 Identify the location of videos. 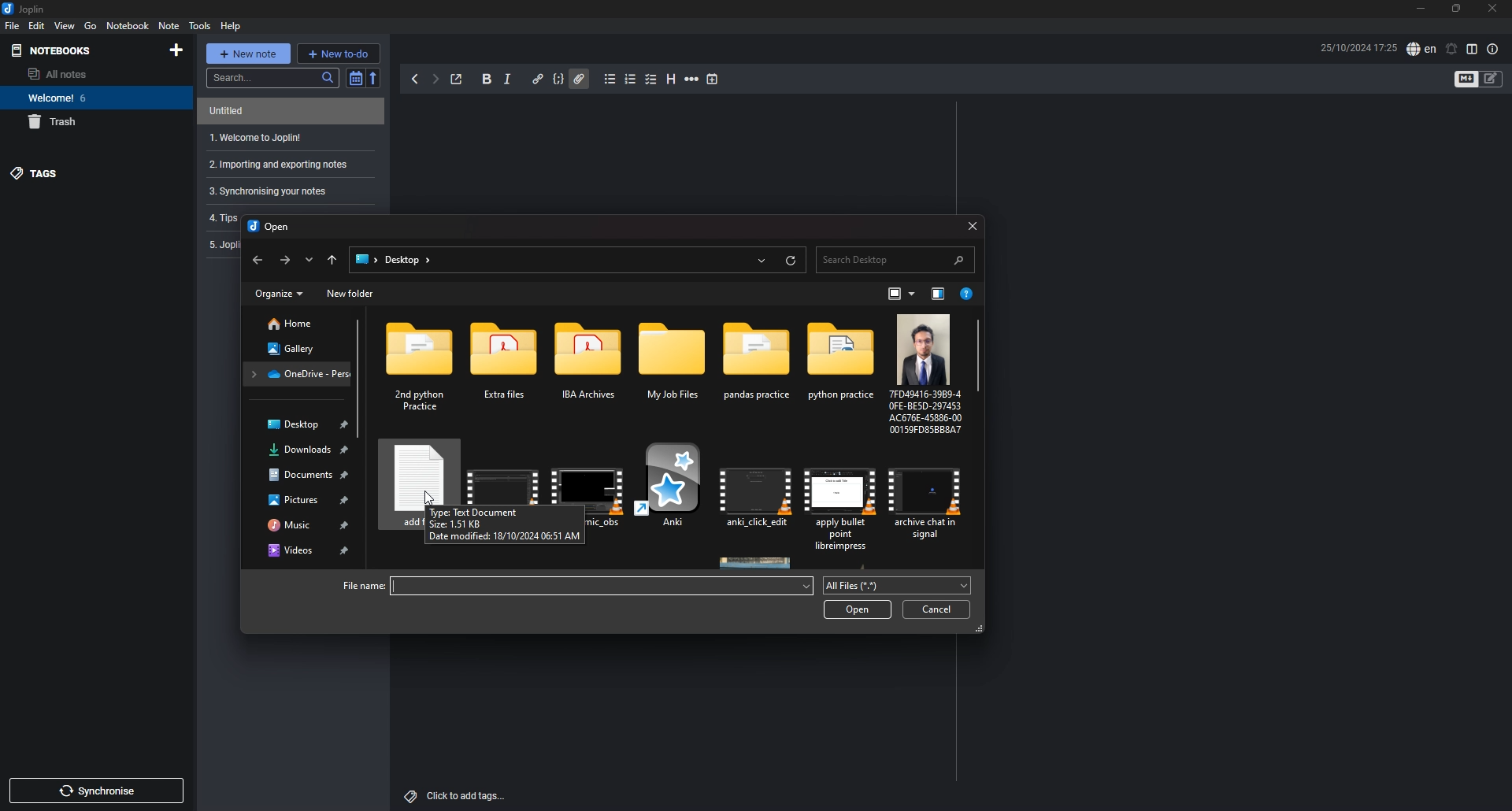
(302, 550).